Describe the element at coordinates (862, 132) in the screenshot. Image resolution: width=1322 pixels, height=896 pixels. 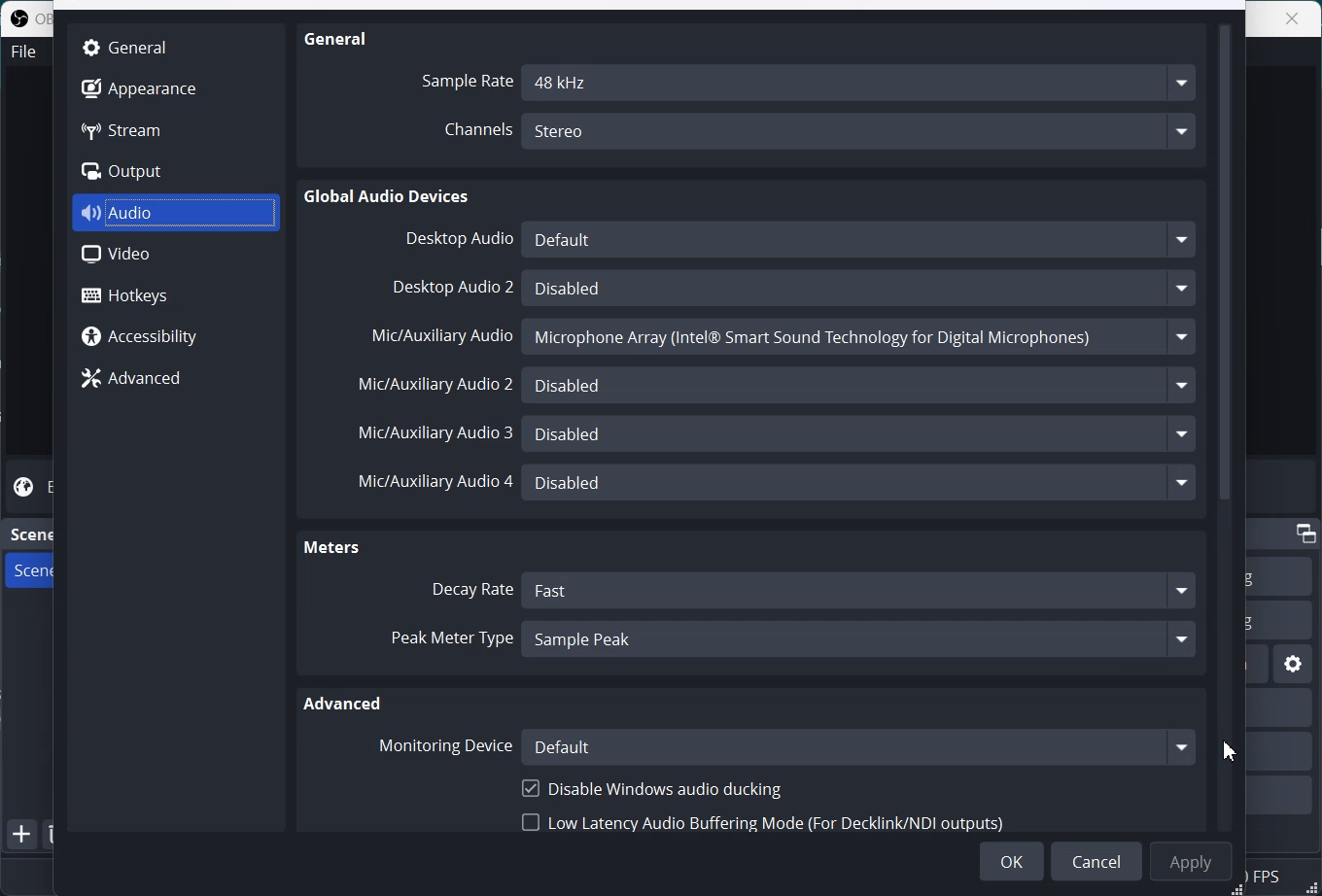
I see `Stereo` at that location.